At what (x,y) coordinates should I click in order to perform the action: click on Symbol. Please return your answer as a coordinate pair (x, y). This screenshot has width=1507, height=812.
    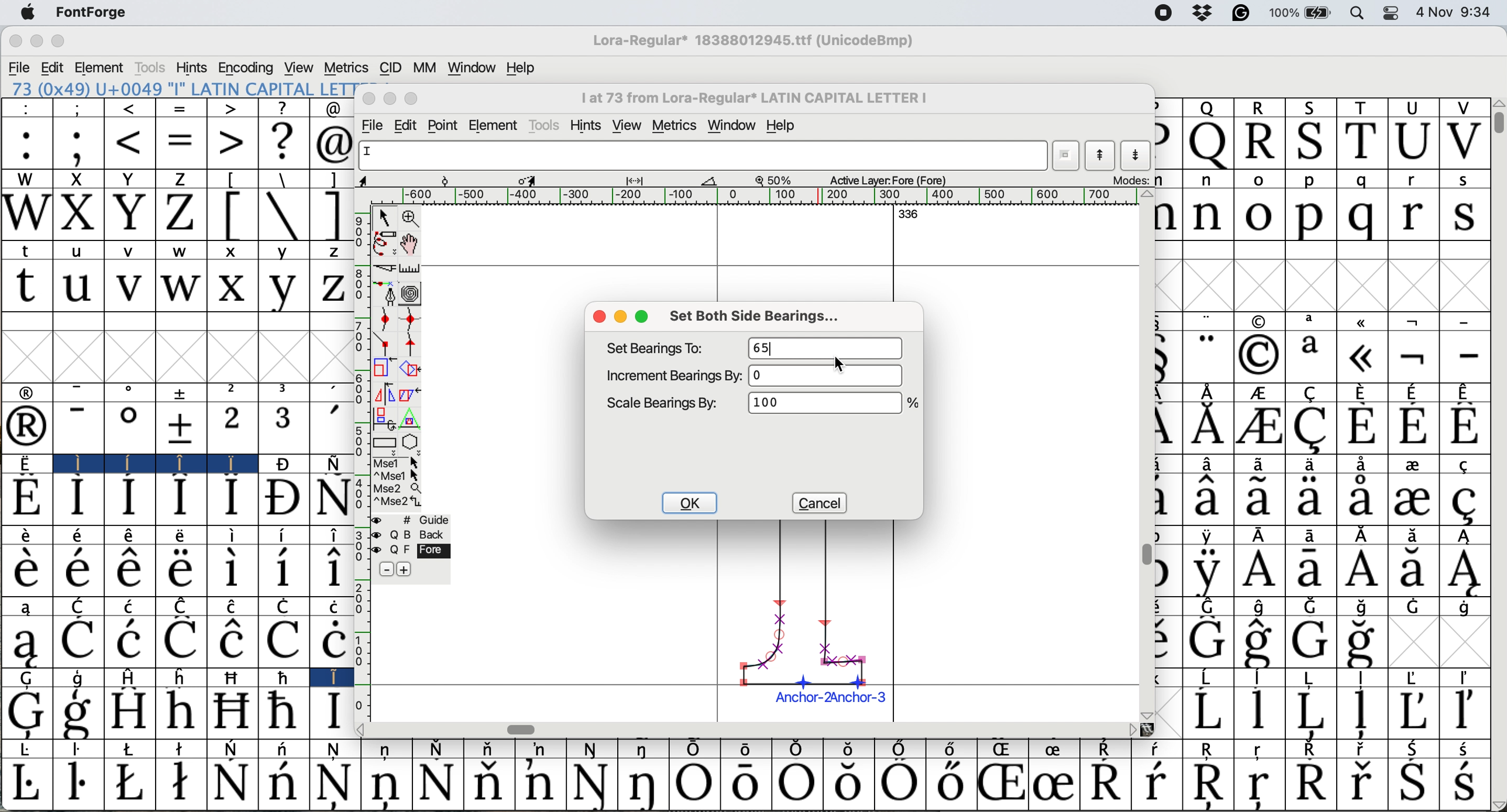
    Looking at the image, I should click on (1417, 749).